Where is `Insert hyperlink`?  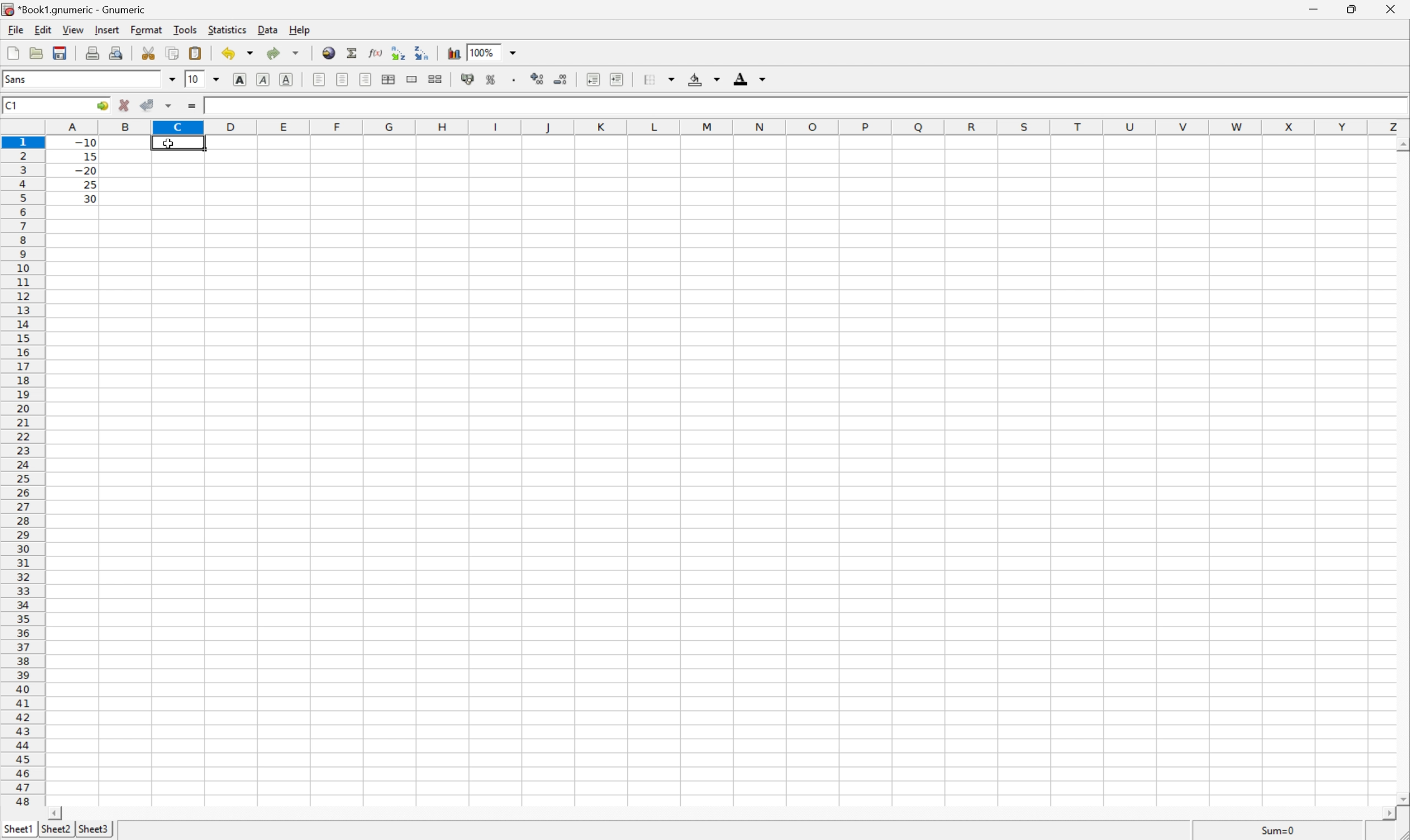
Insert hyperlink is located at coordinates (327, 52).